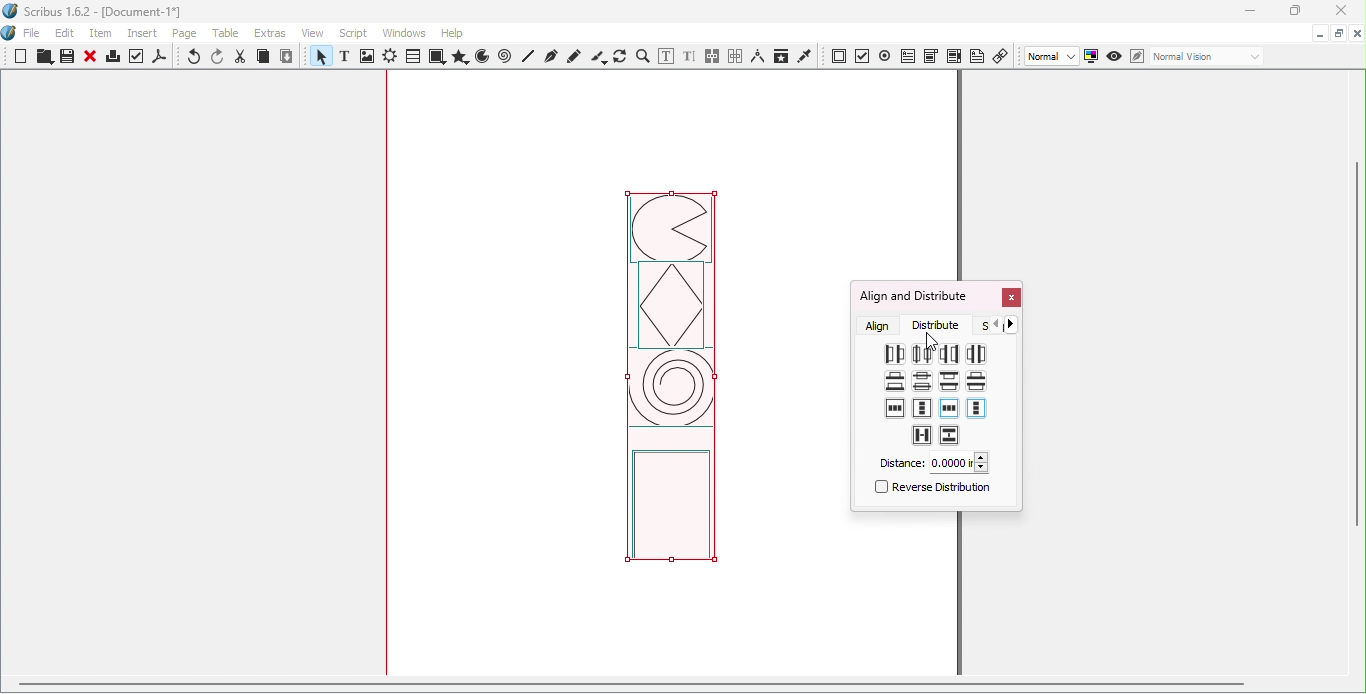  Describe the element at coordinates (932, 463) in the screenshot. I see `Distance` at that location.